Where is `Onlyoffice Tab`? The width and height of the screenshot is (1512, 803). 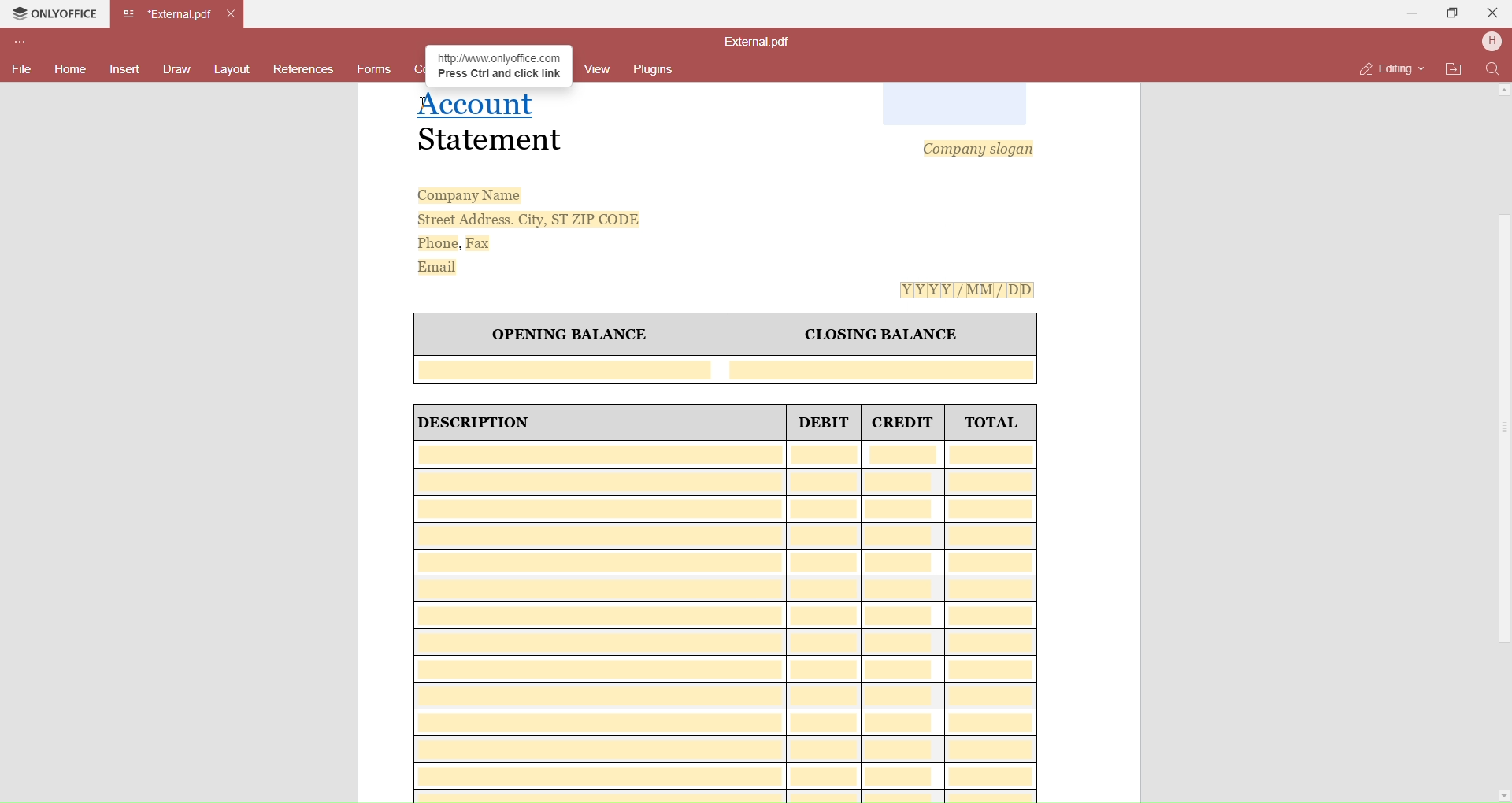 Onlyoffice Tab is located at coordinates (58, 15).